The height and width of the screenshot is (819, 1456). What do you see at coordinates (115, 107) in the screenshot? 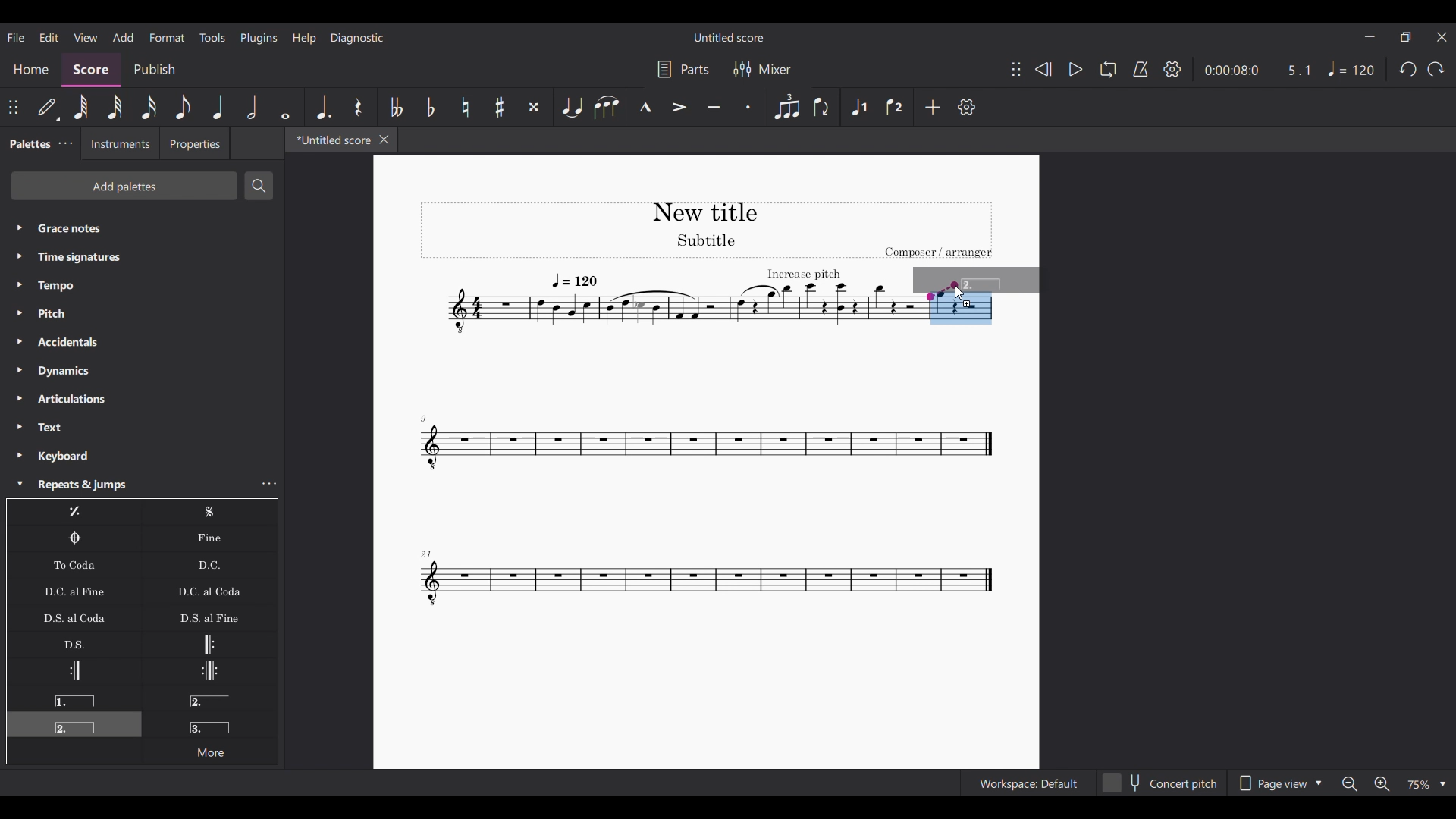
I see `32nd note` at bounding box center [115, 107].